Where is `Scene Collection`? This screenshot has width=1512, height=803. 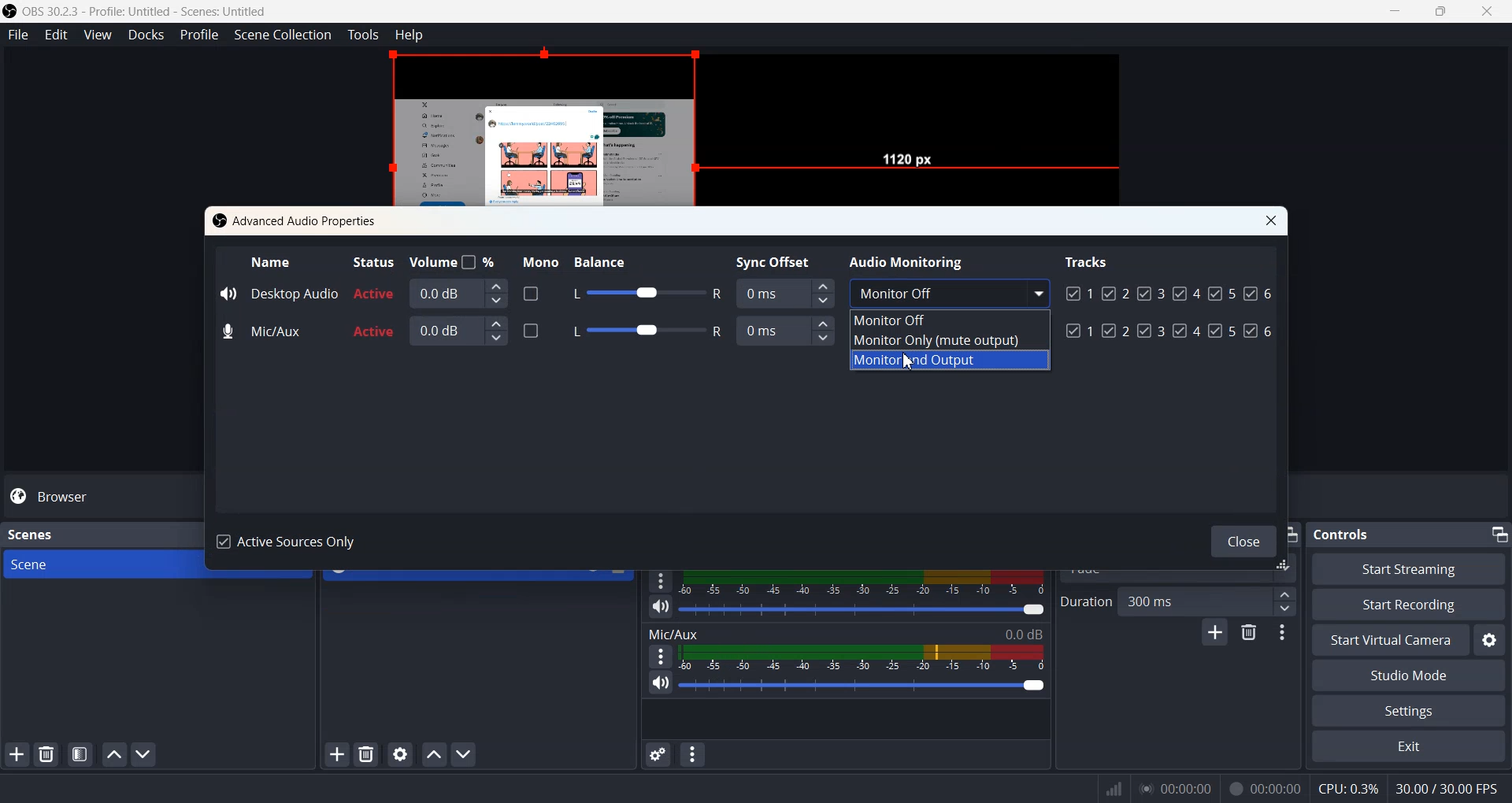 Scene Collection is located at coordinates (283, 35).